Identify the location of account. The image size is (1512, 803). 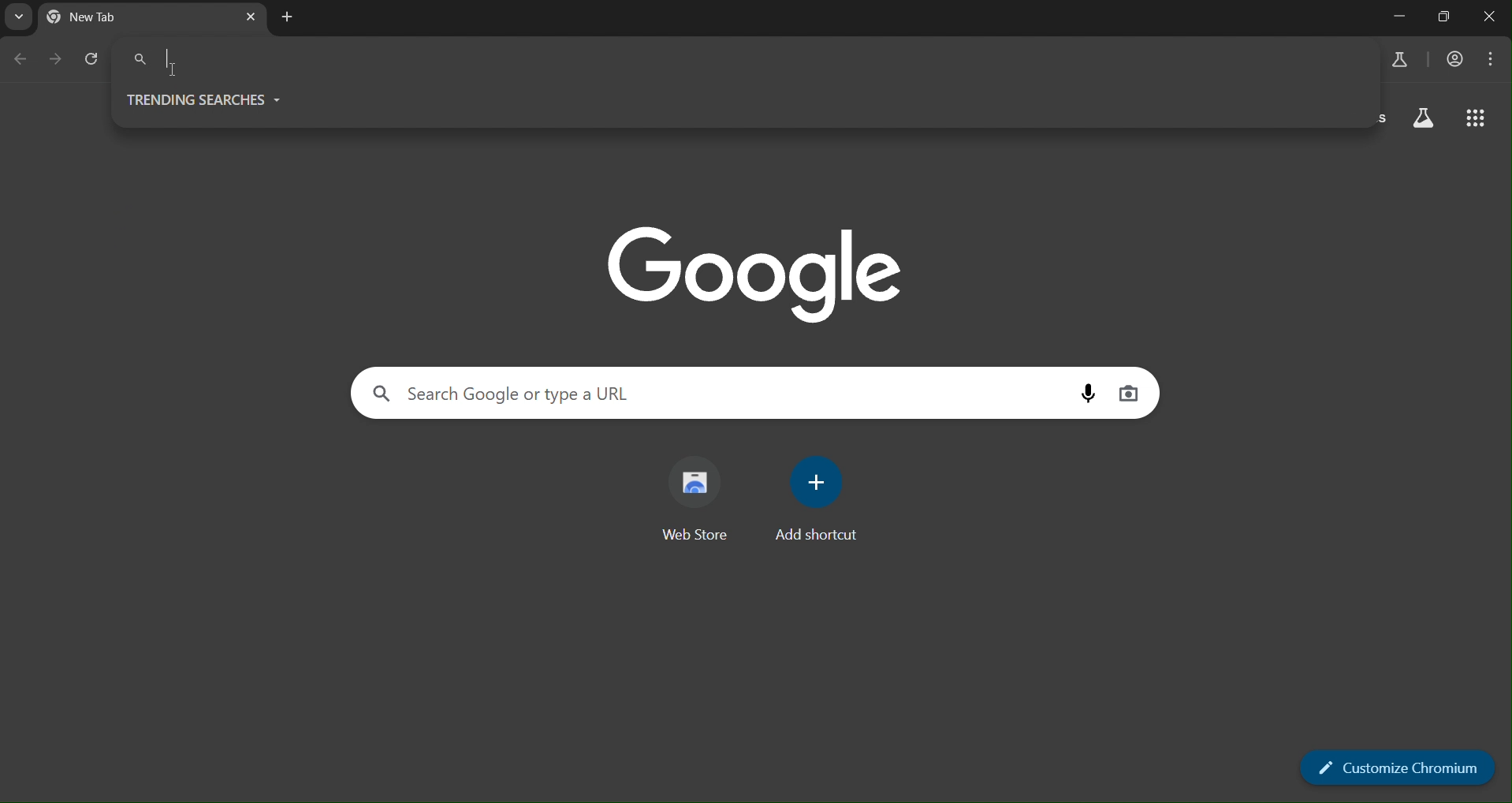
(1454, 60).